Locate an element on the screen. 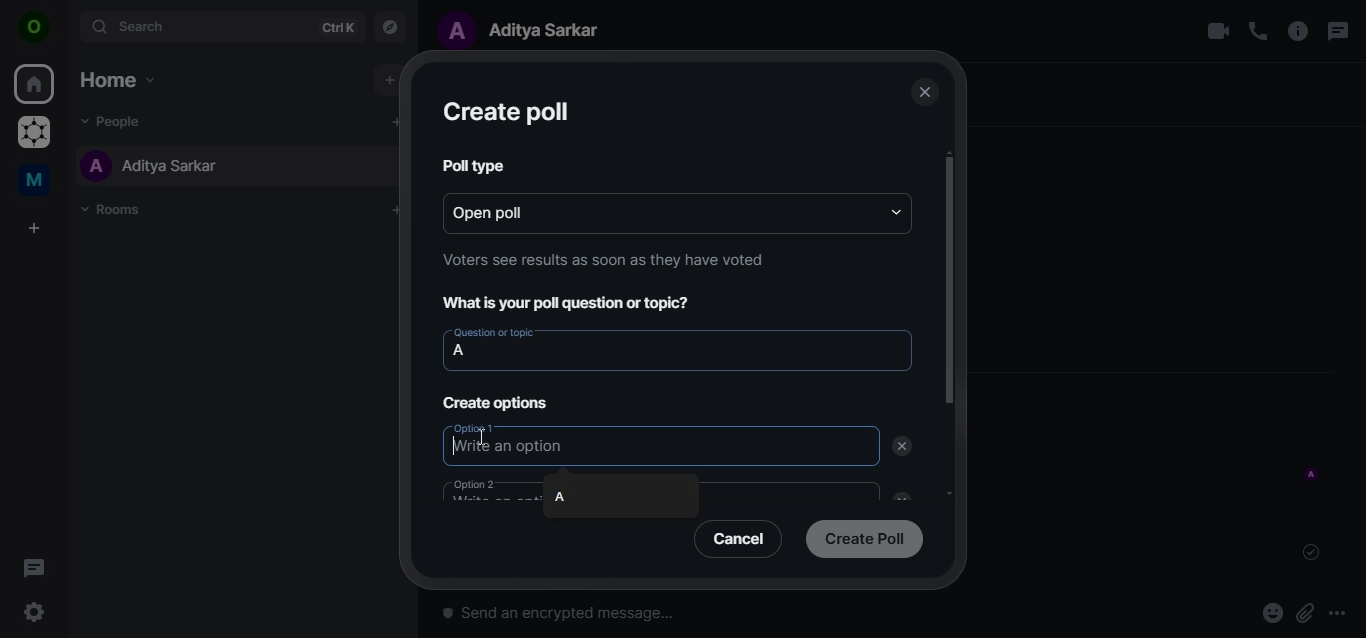  add is located at coordinates (394, 121).